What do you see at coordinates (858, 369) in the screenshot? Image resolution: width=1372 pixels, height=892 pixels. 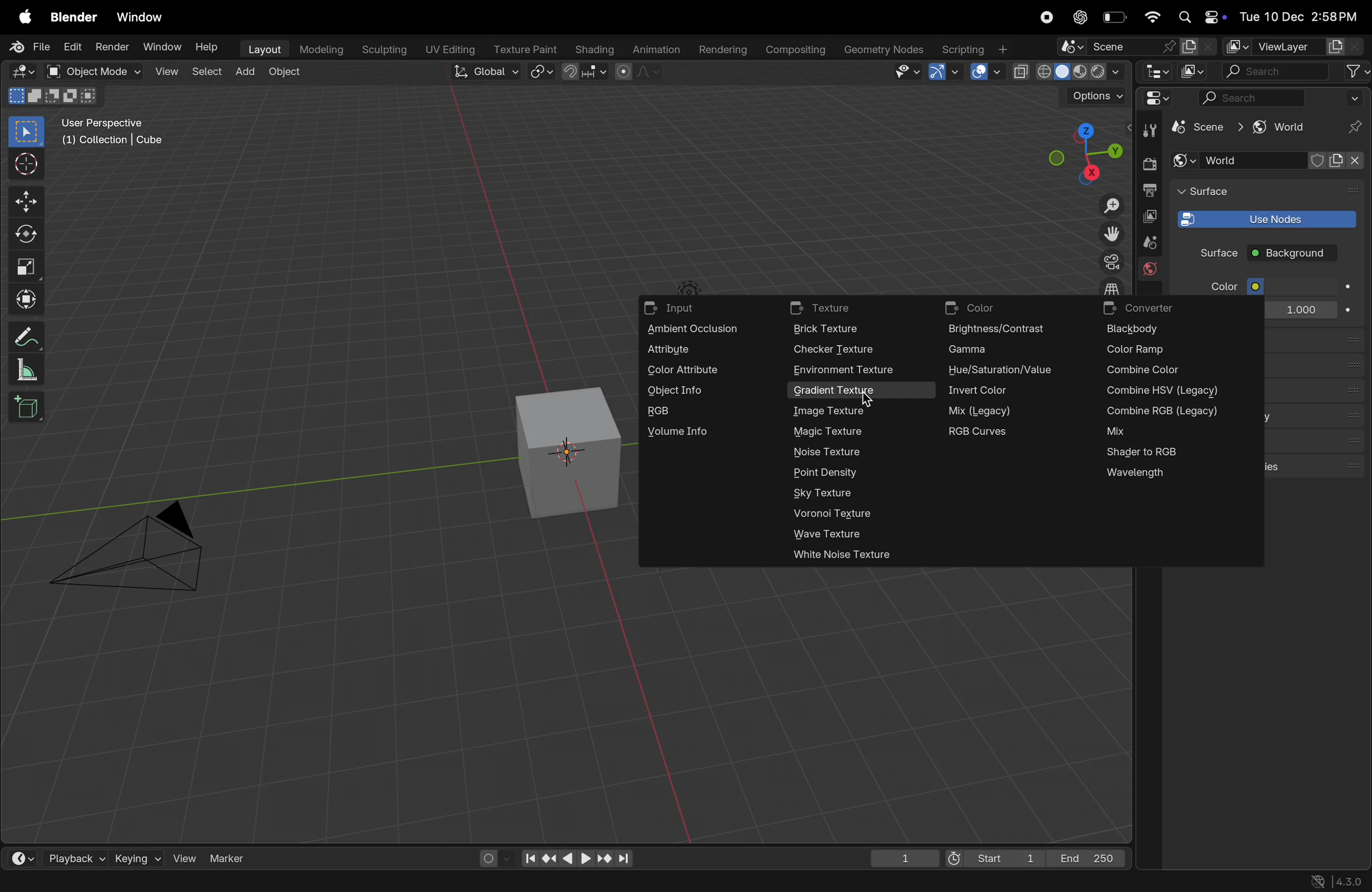 I see `Envoirnment texture` at bounding box center [858, 369].